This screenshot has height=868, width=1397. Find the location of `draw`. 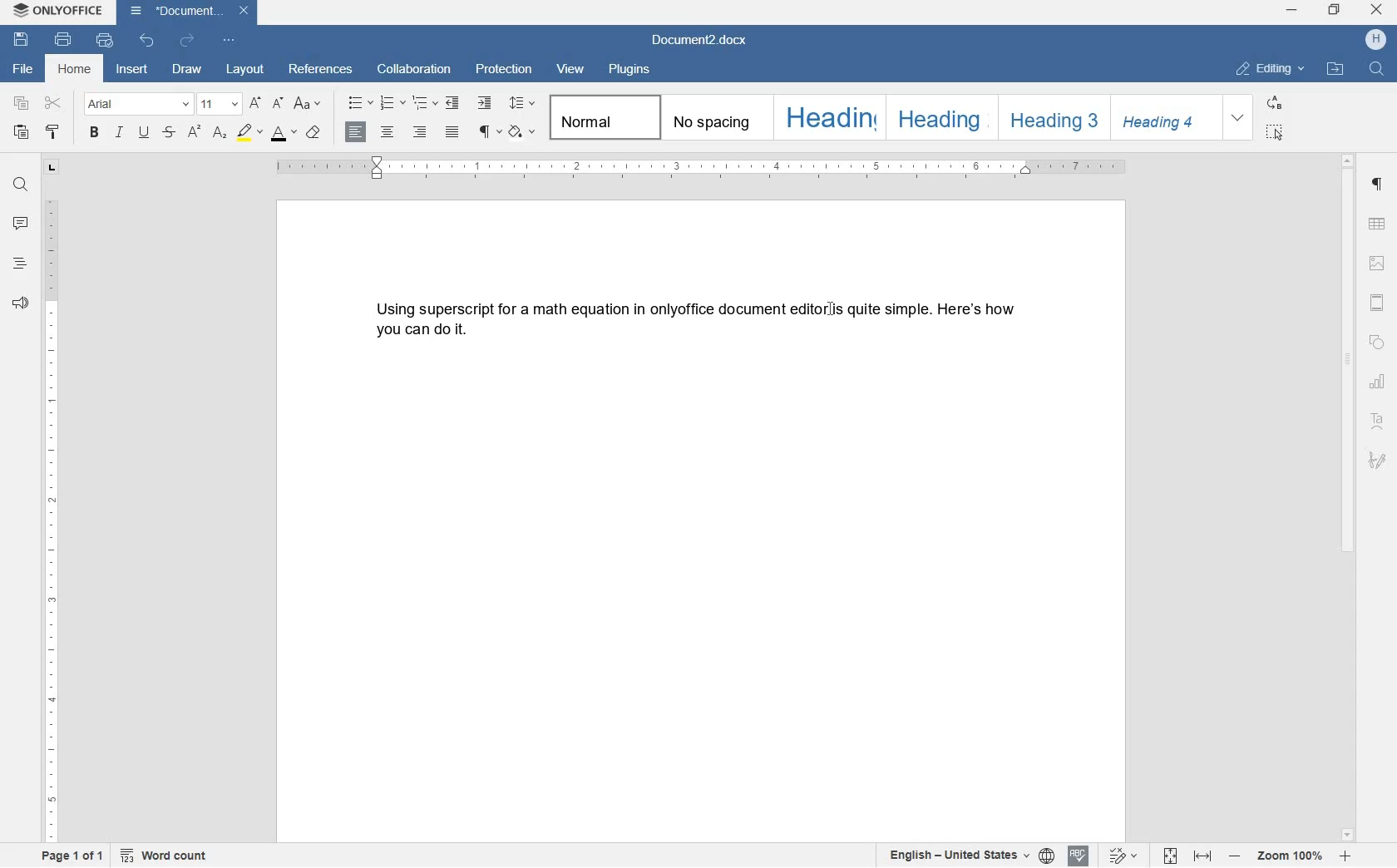

draw is located at coordinates (192, 69).